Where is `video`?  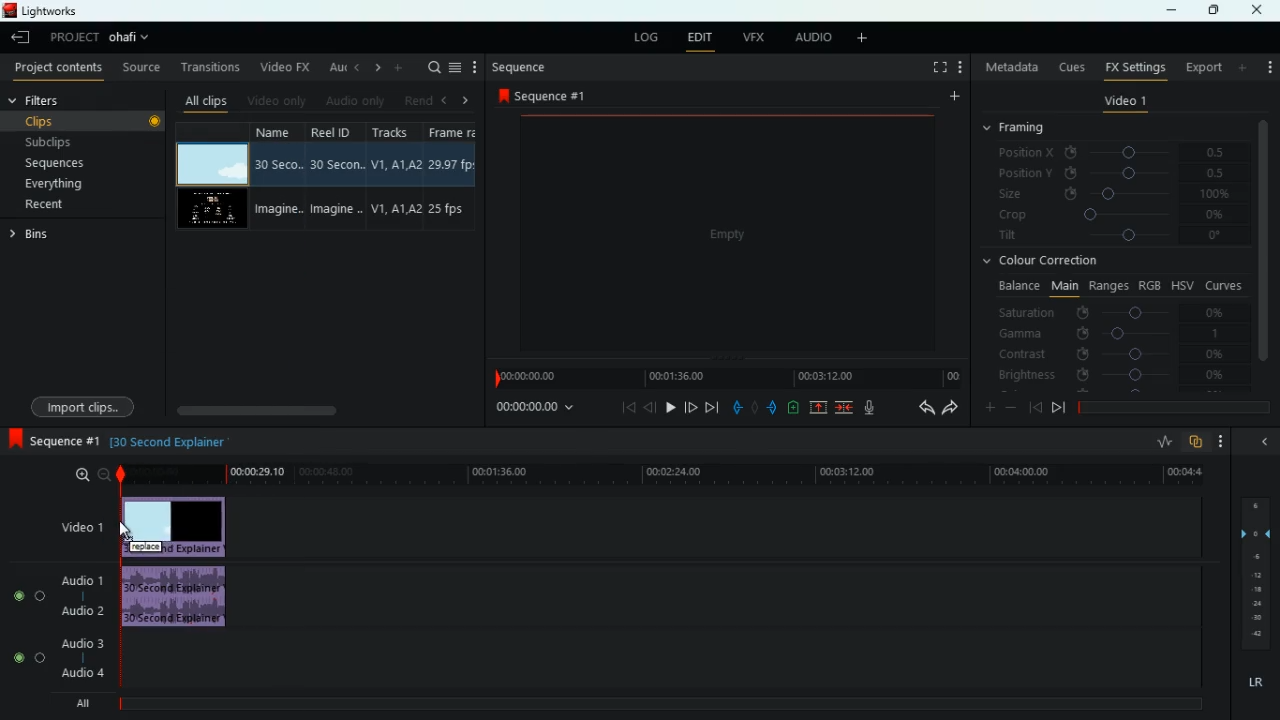
video is located at coordinates (215, 209).